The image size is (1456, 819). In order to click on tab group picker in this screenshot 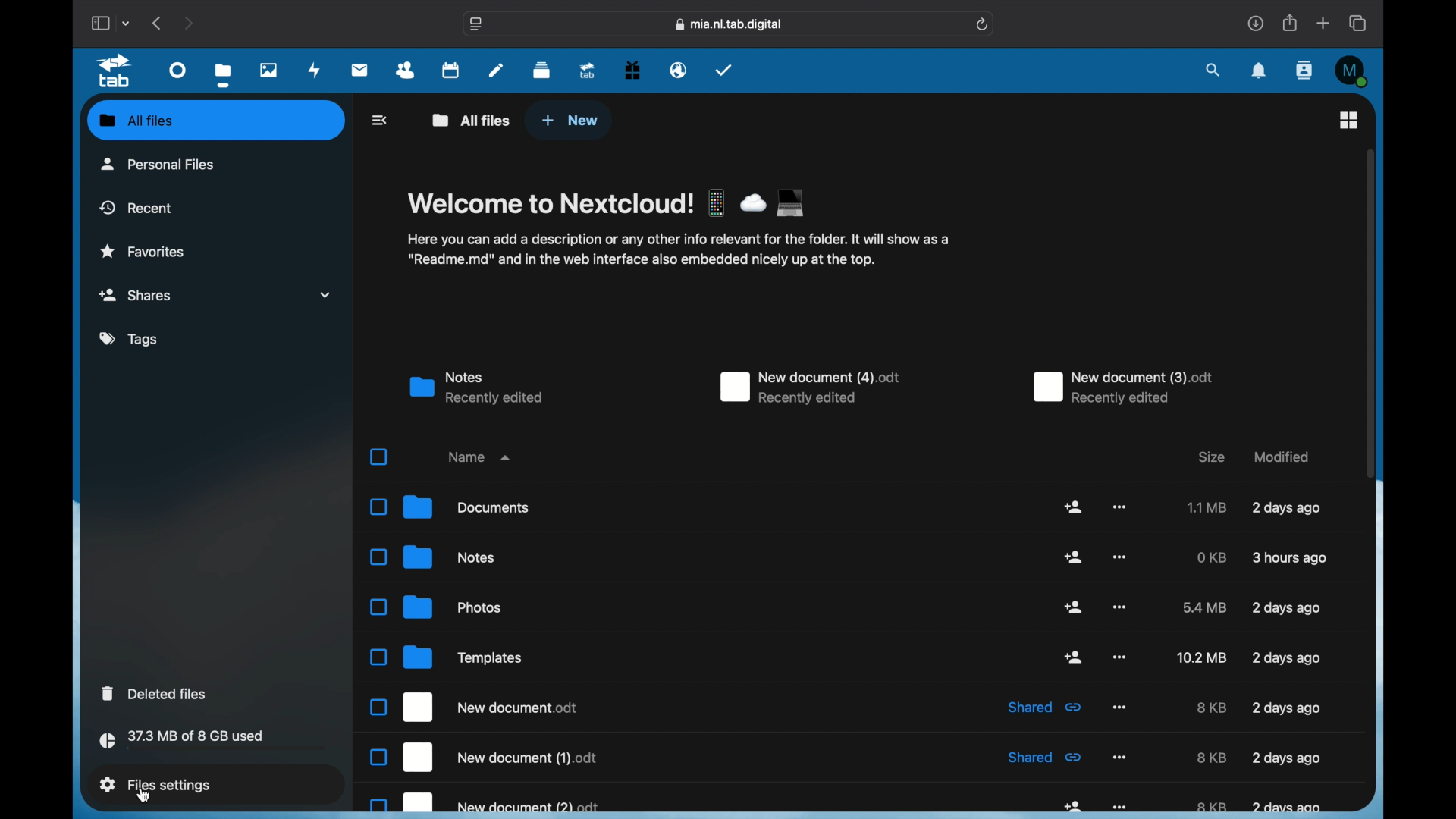, I will do `click(126, 23)`.